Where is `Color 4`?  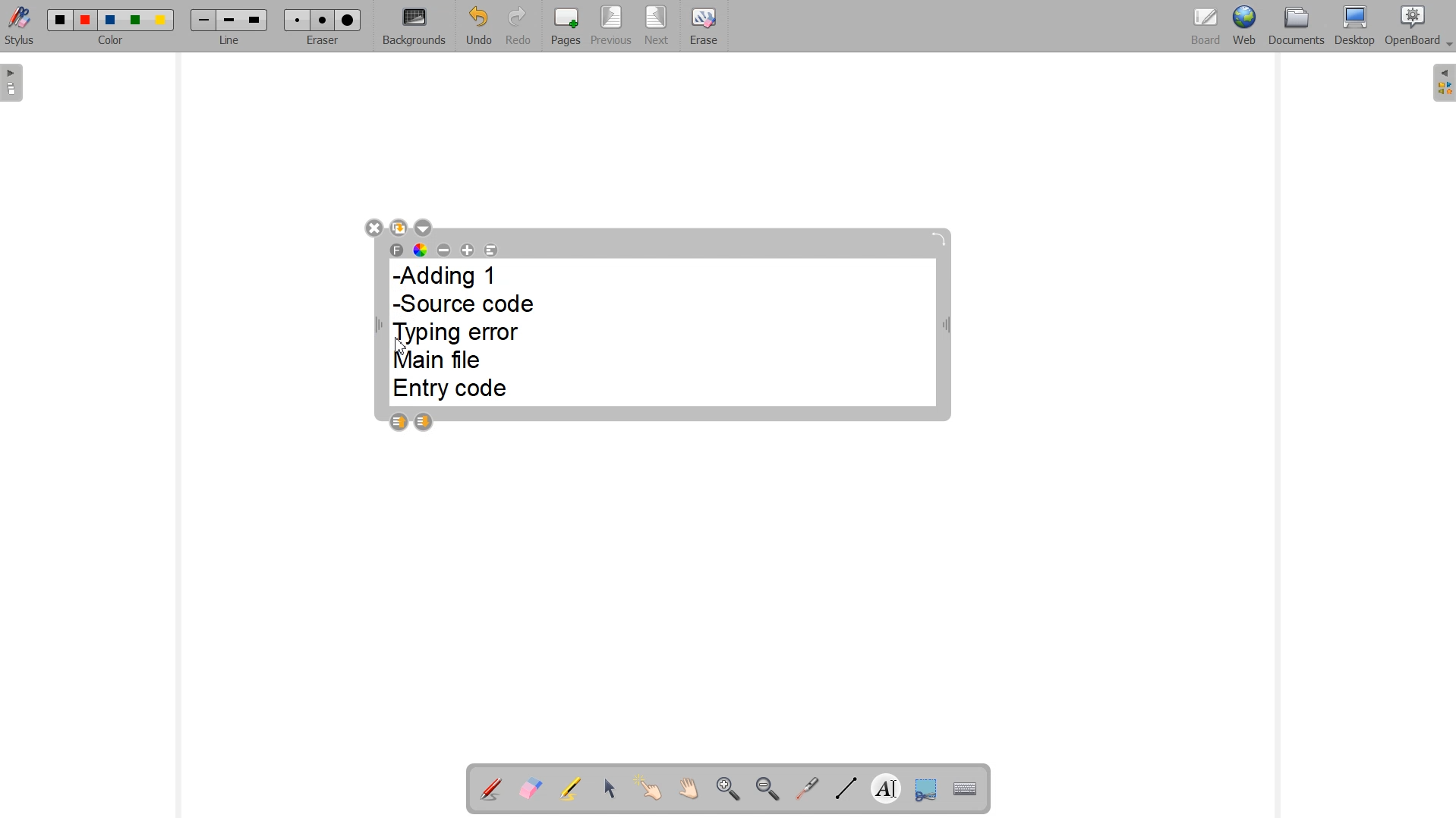
Color 4 is located at coordinates (137, 20).